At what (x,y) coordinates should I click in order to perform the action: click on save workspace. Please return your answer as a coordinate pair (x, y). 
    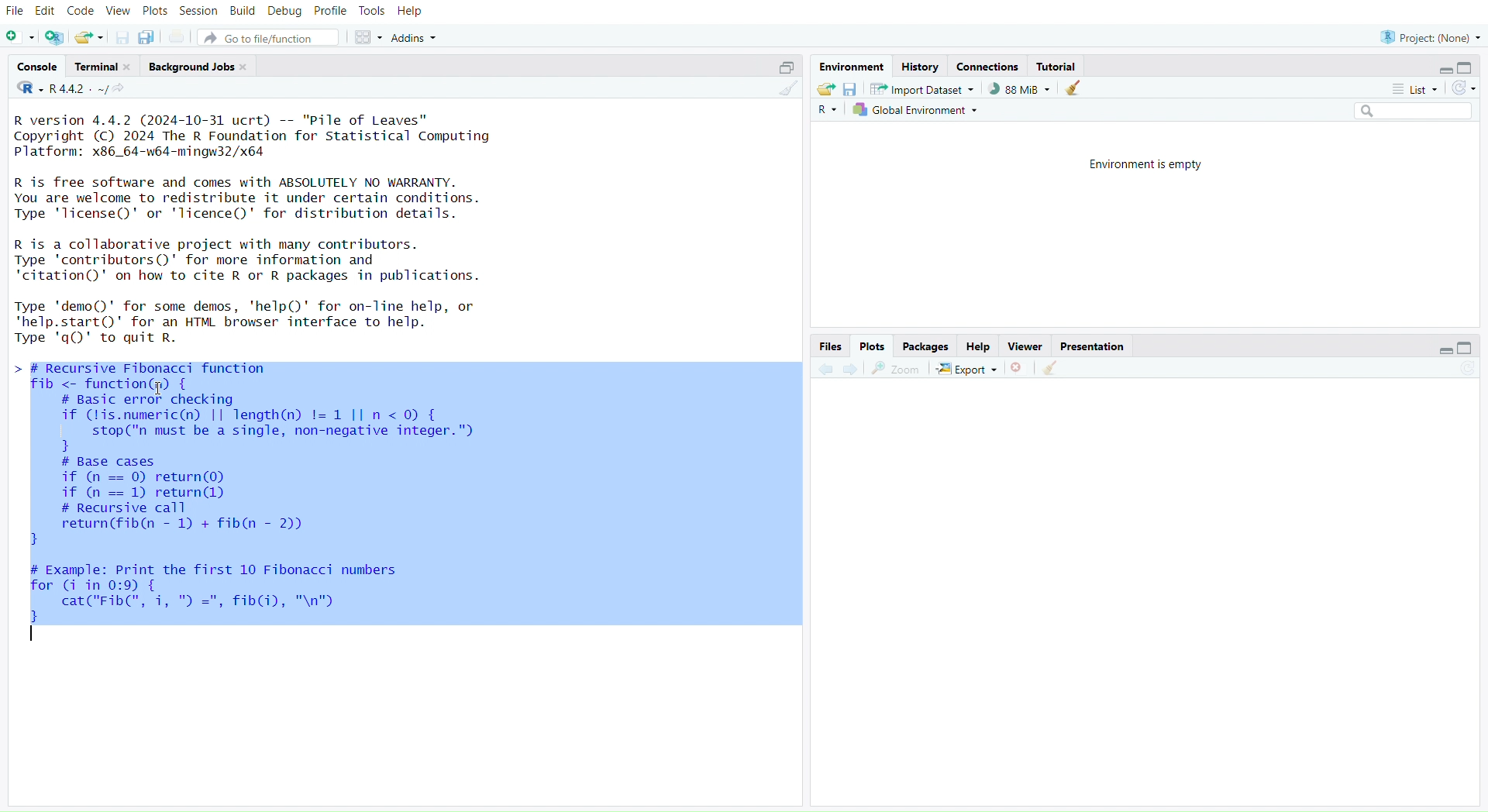
    Looking at the image, I should click on (849, 90).